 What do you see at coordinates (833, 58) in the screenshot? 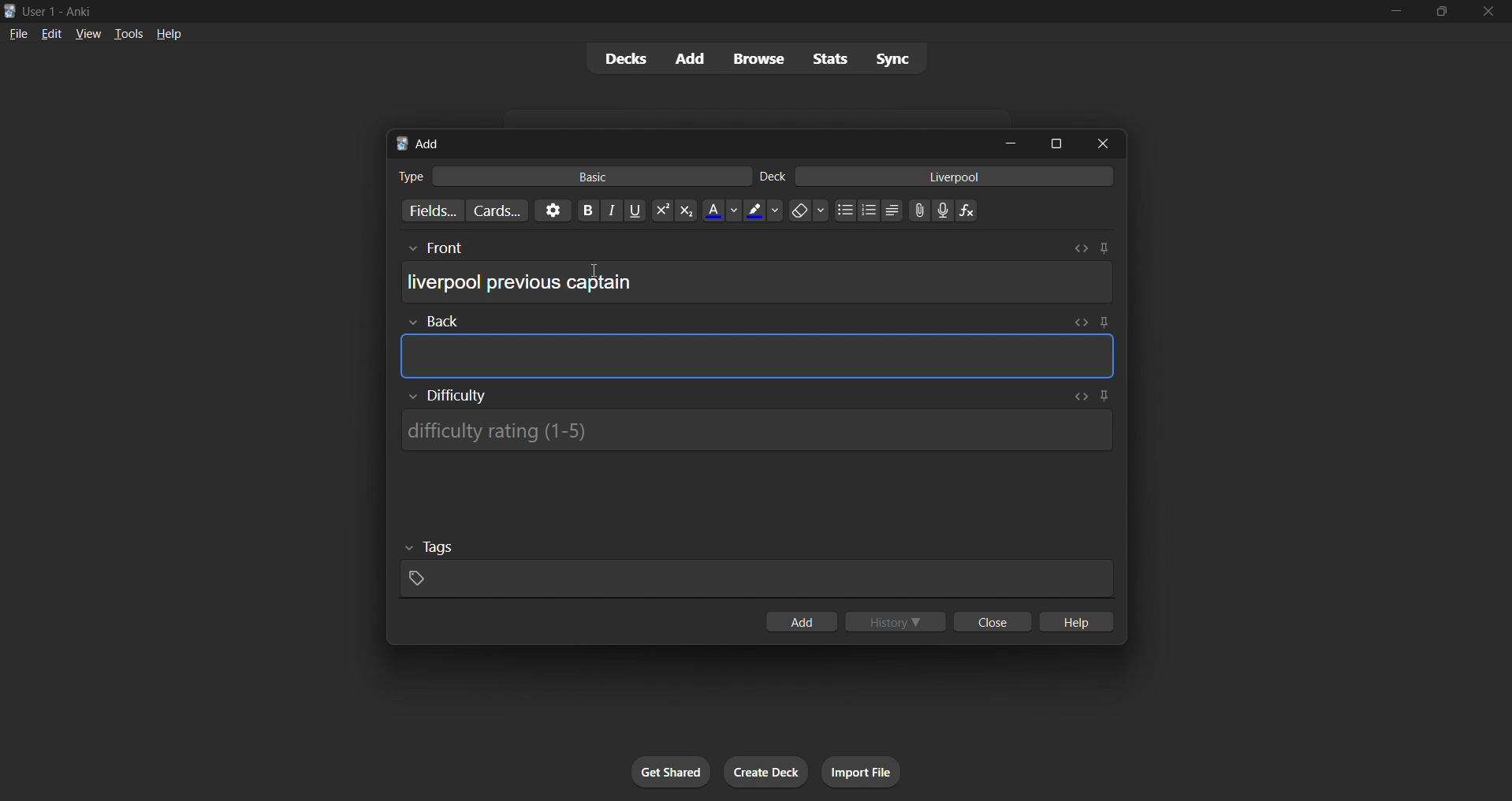
I see `stats` at bounding box center [833, 58].